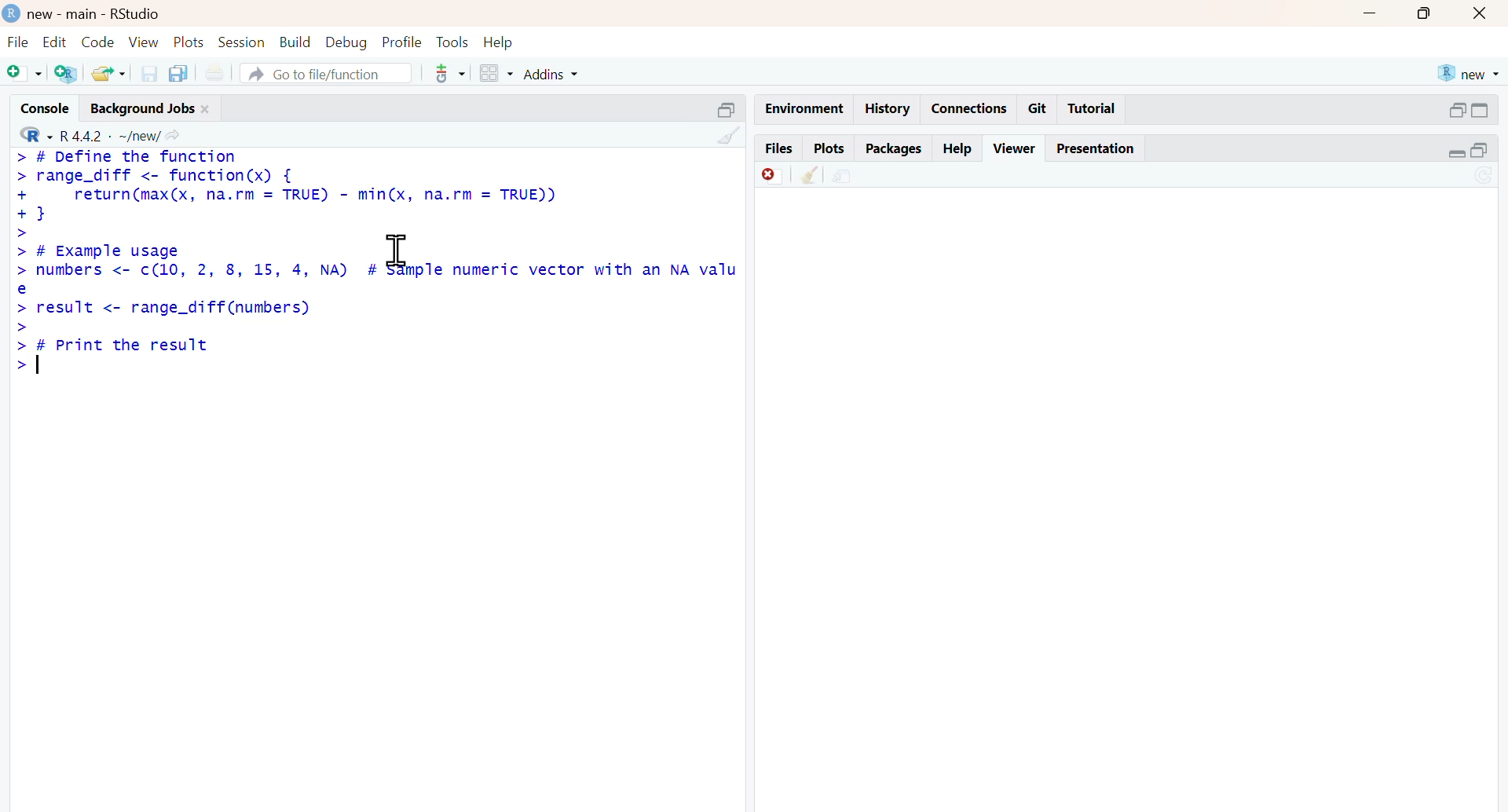 This screenshot has height=812, width=1508. What do you see at coordinates (970, 109) in the screenshot?
I see `connections` at bounding box center [970, 109].